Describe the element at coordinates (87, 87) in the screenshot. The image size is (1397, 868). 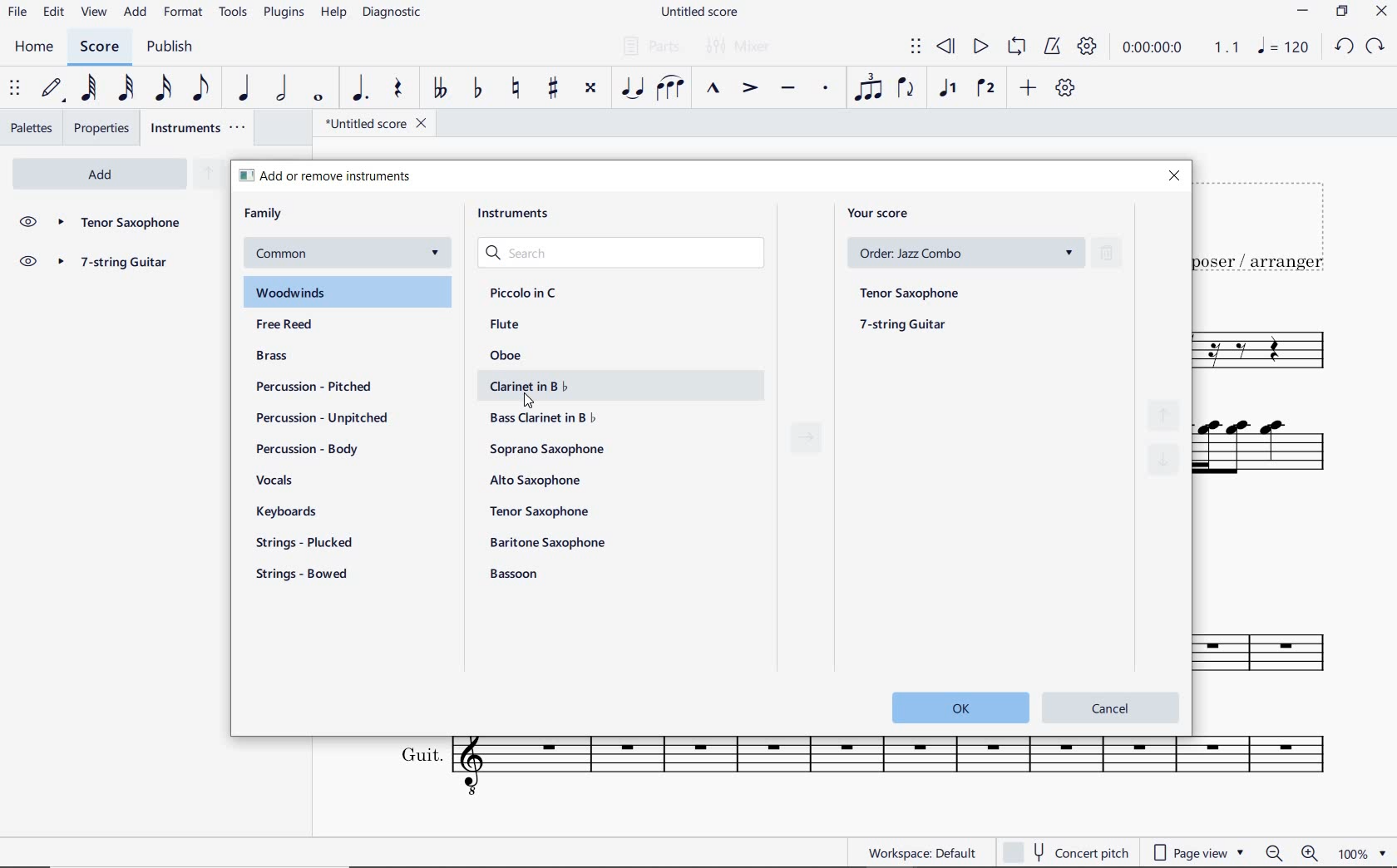
I see `64TH NOTE` at that location.